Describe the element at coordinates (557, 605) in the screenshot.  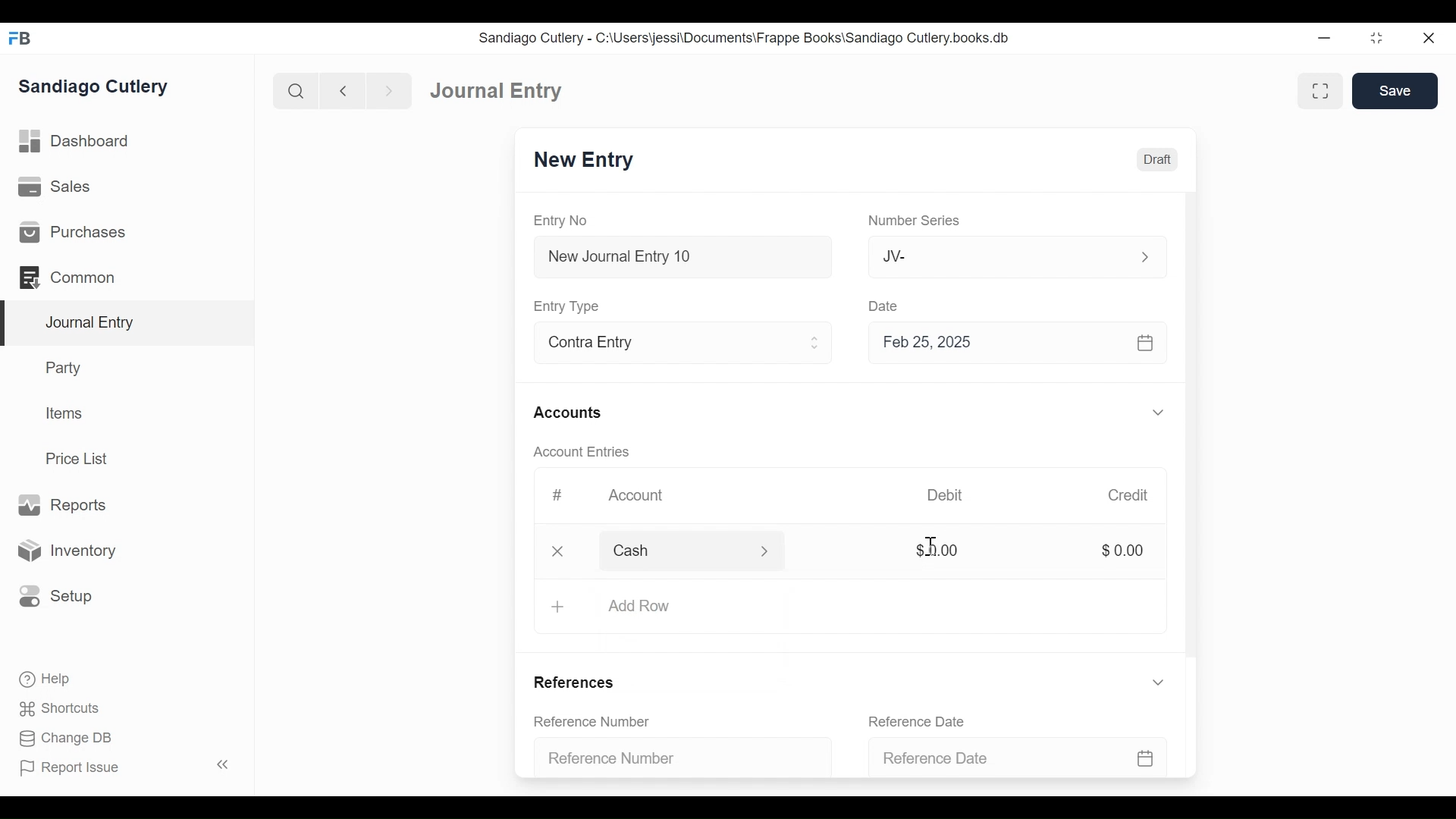
I see `+` at that location.